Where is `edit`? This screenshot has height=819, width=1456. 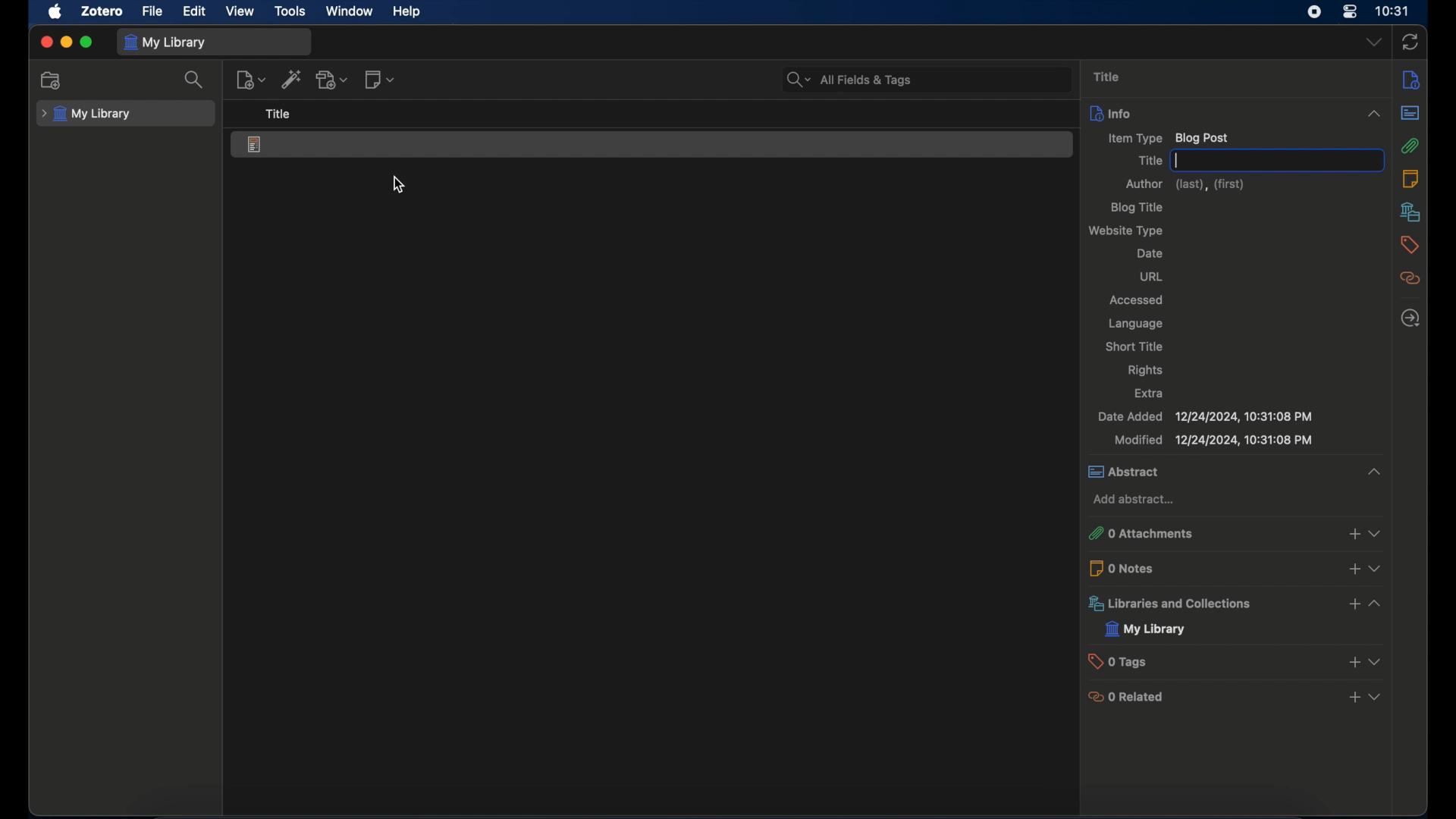
edit is located at coordinates (196, 12).